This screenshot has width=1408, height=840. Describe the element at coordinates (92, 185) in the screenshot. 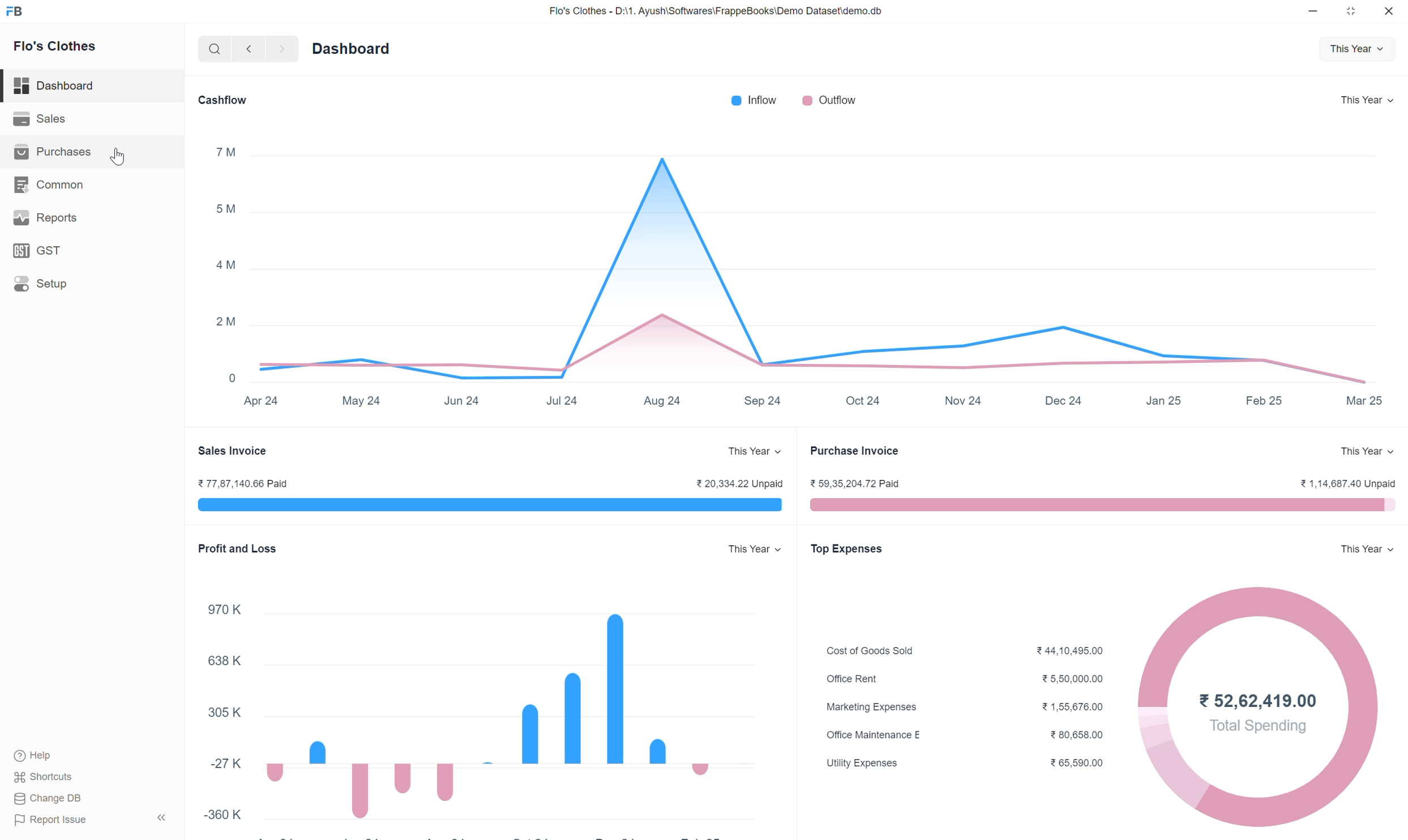

I see `Common` at that location.